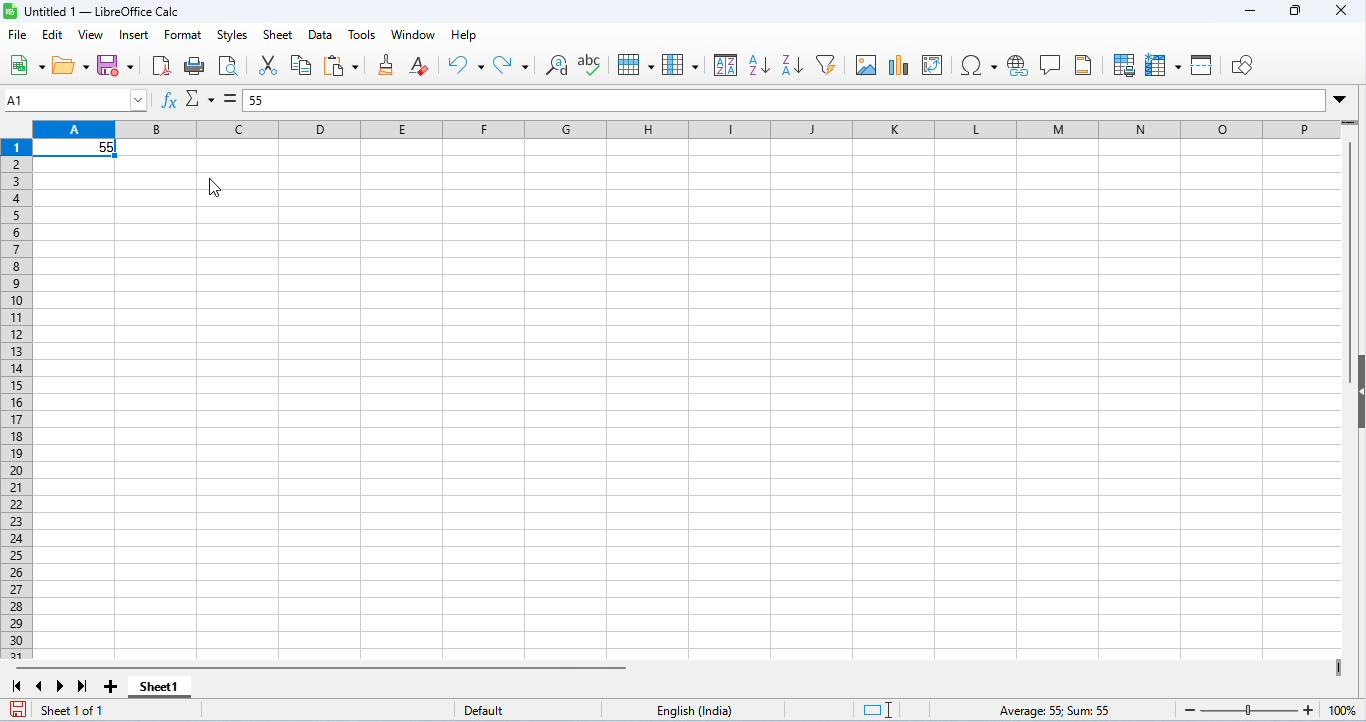 This screenshot has width=1366, height=722. What do you see at coordinates (19, 710) in the screenshot?
I see `save` at bounding box center [19, 710].